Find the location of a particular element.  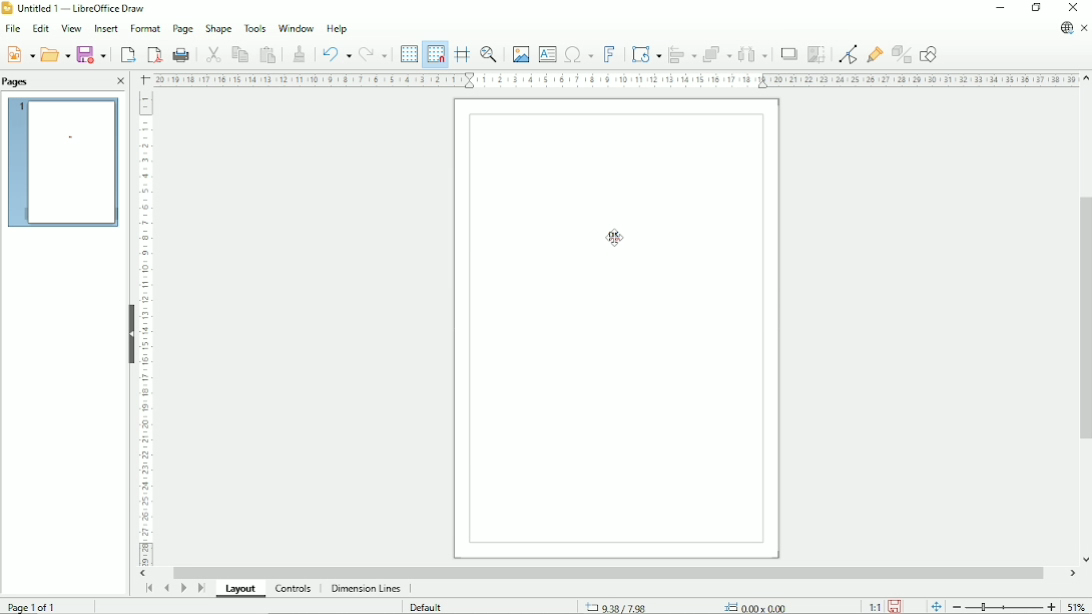

Undo is located at coordinates (334, 54).